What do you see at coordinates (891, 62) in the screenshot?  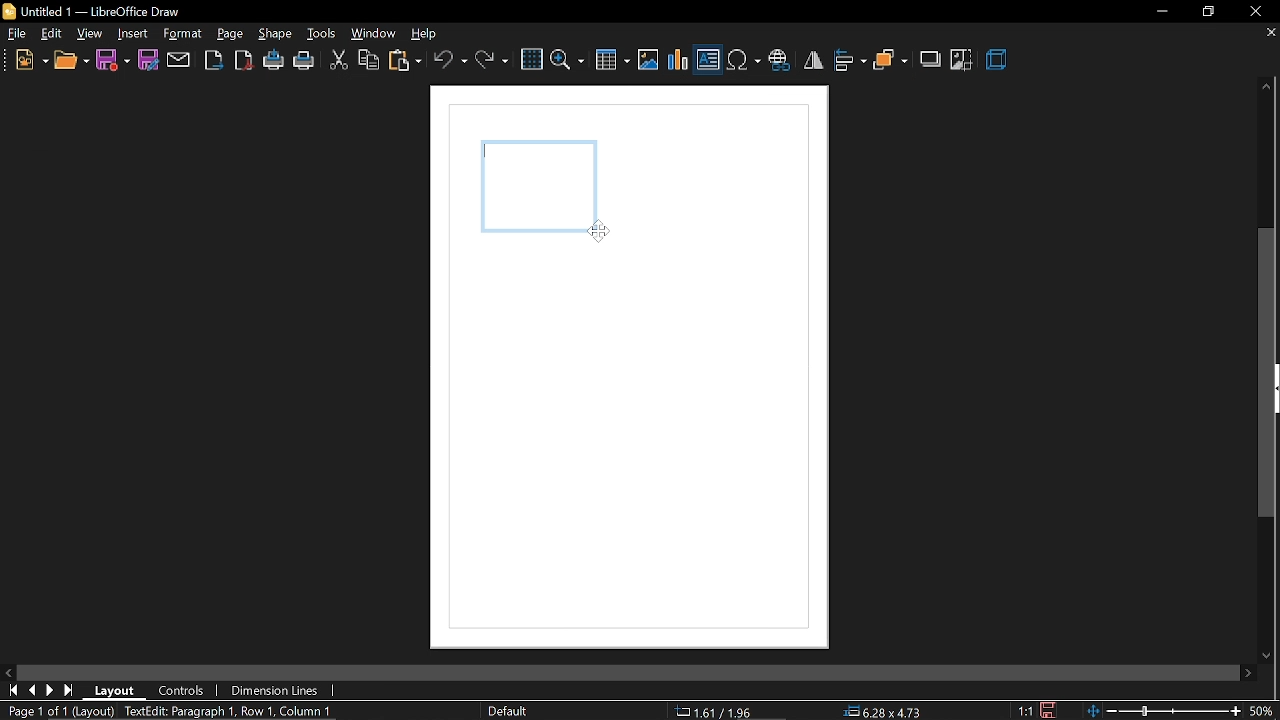 I see `arrange` at bounding box center [891, 62].